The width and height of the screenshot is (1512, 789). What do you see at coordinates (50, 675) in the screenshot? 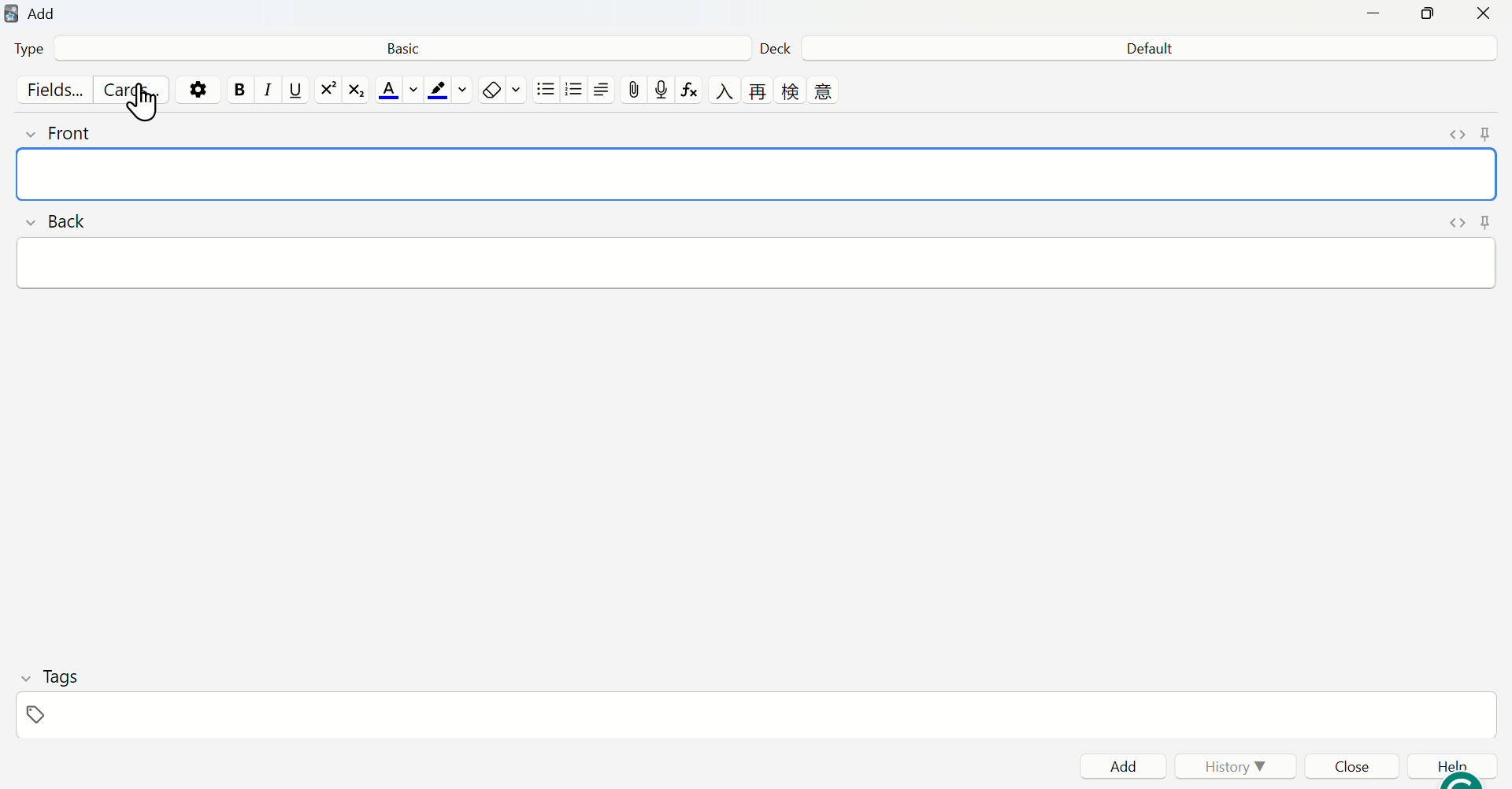
I see `Show/Hide Tags` at bounding box center [50, 675].